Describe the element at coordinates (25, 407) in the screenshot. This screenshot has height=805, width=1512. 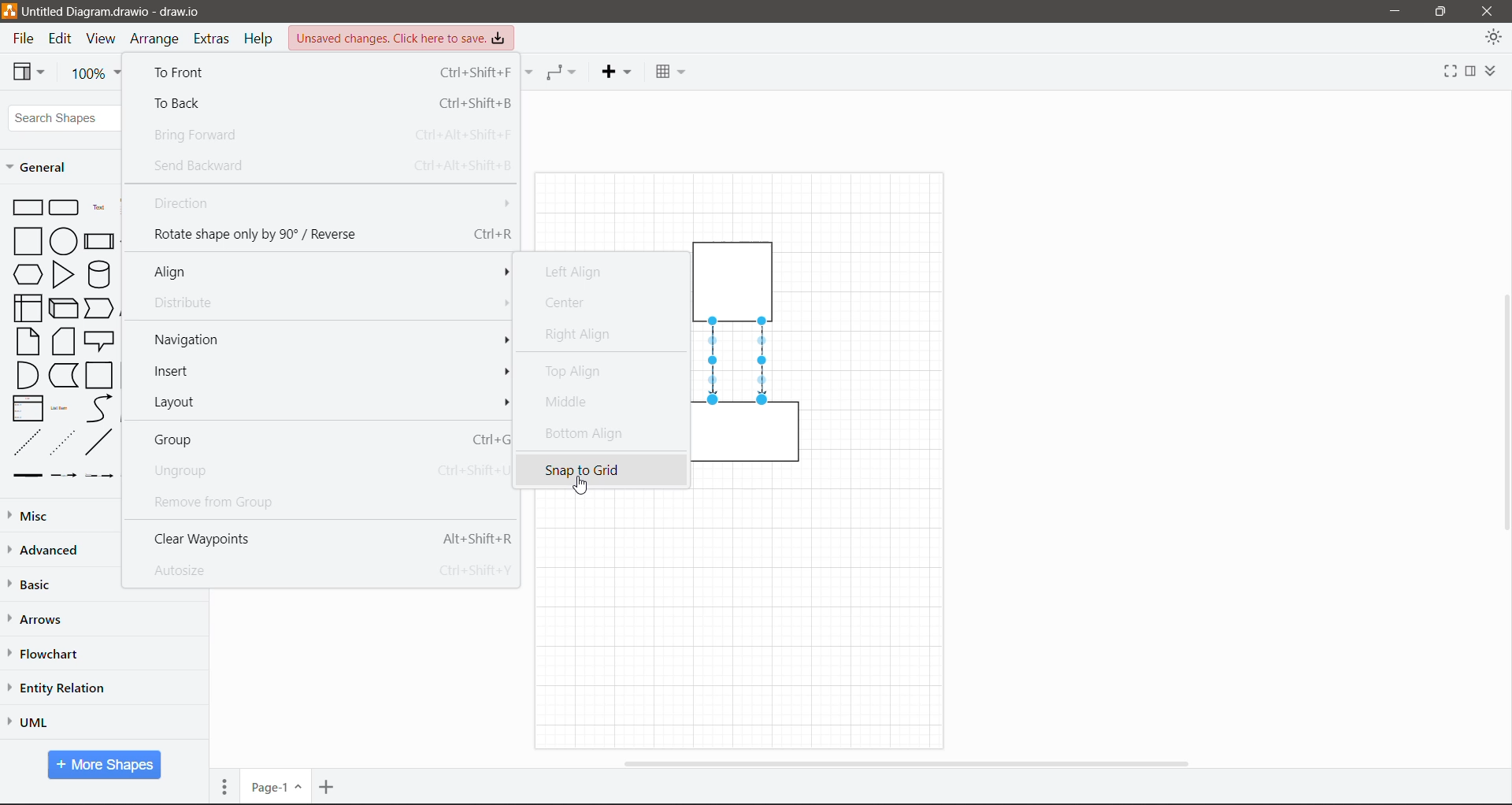
I see `List` at that location.